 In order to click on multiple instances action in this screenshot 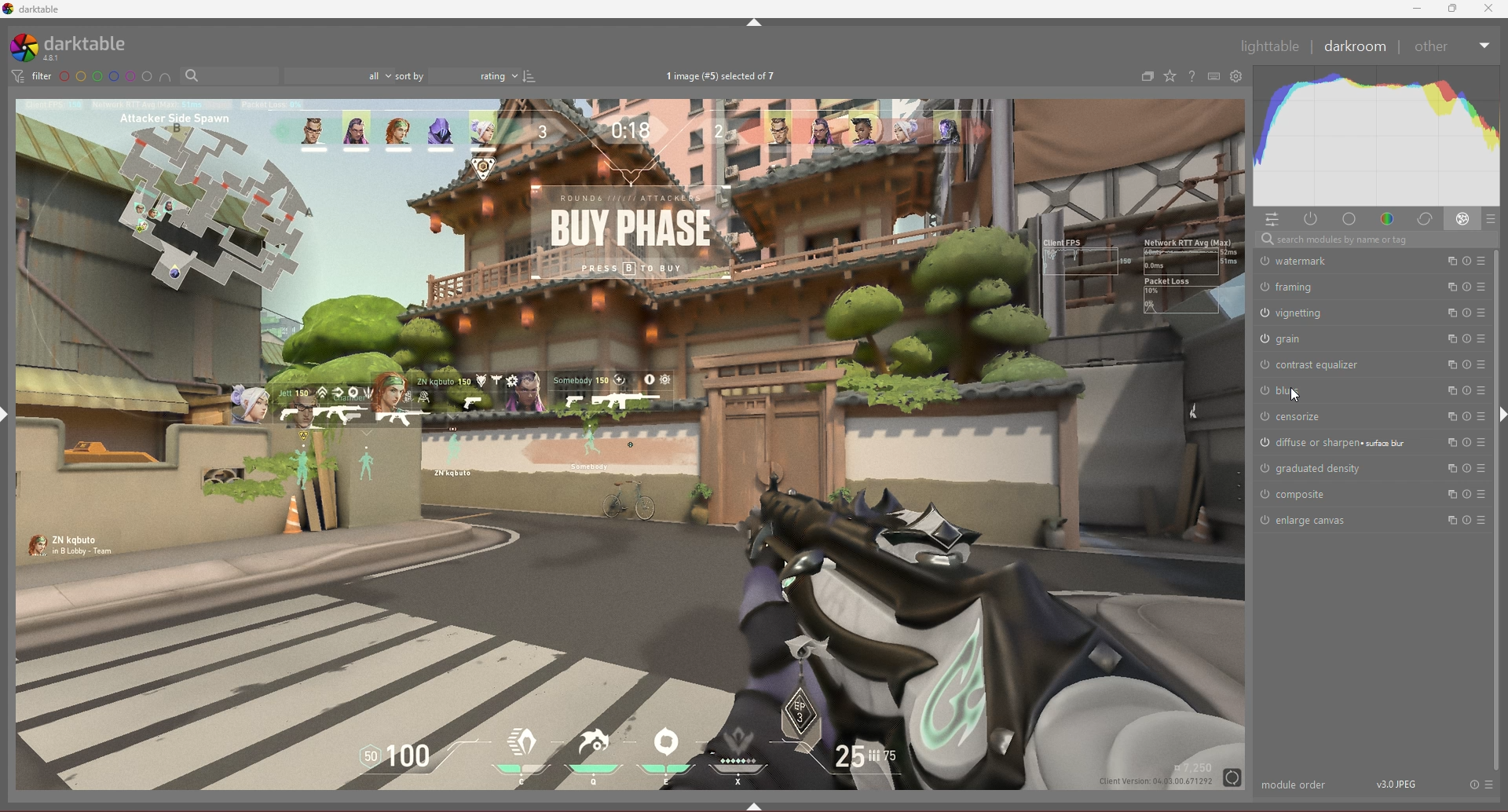, I will do `click(1447, 288)`.